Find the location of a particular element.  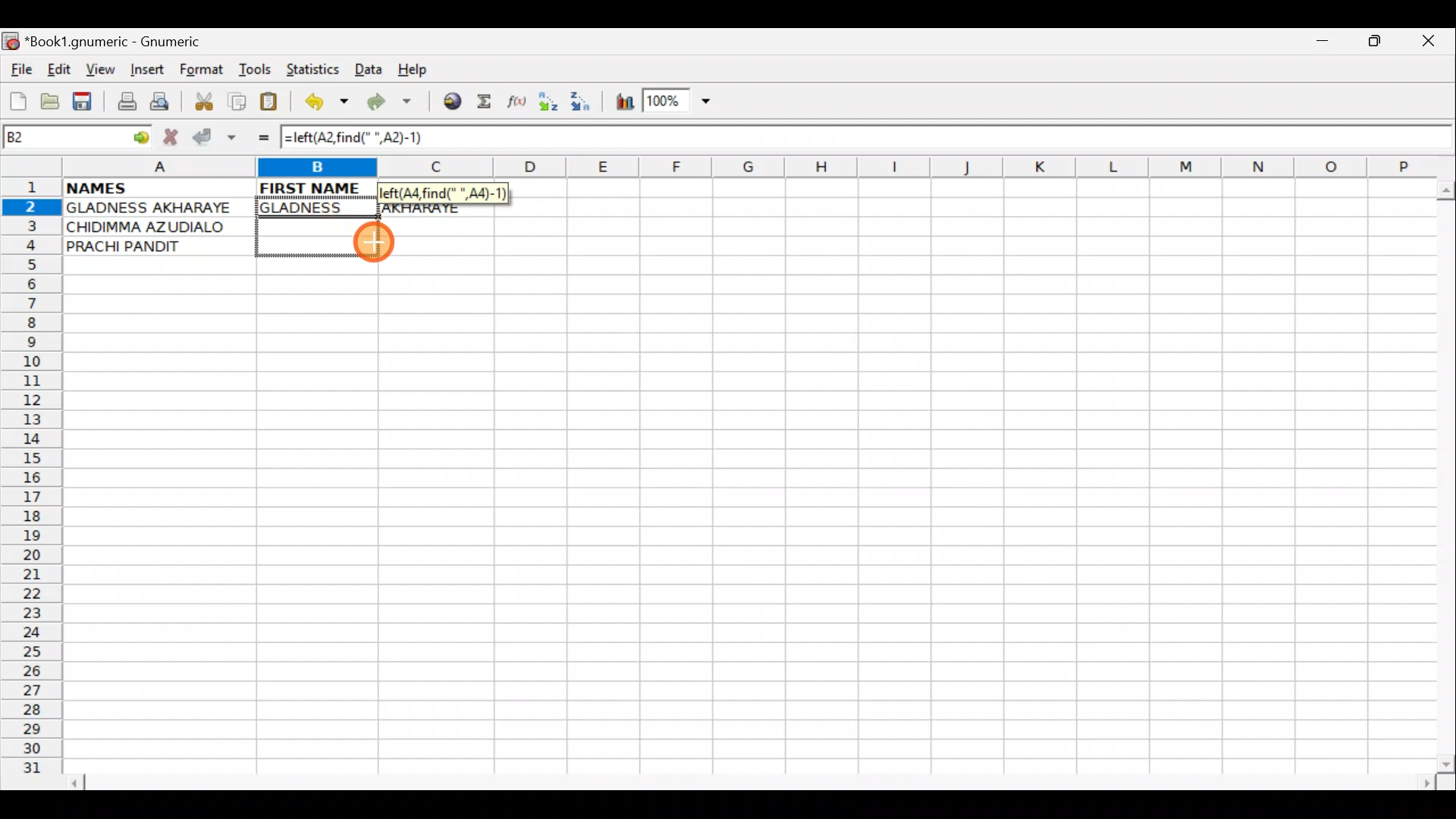

Format is located at coordinates (205, 71).